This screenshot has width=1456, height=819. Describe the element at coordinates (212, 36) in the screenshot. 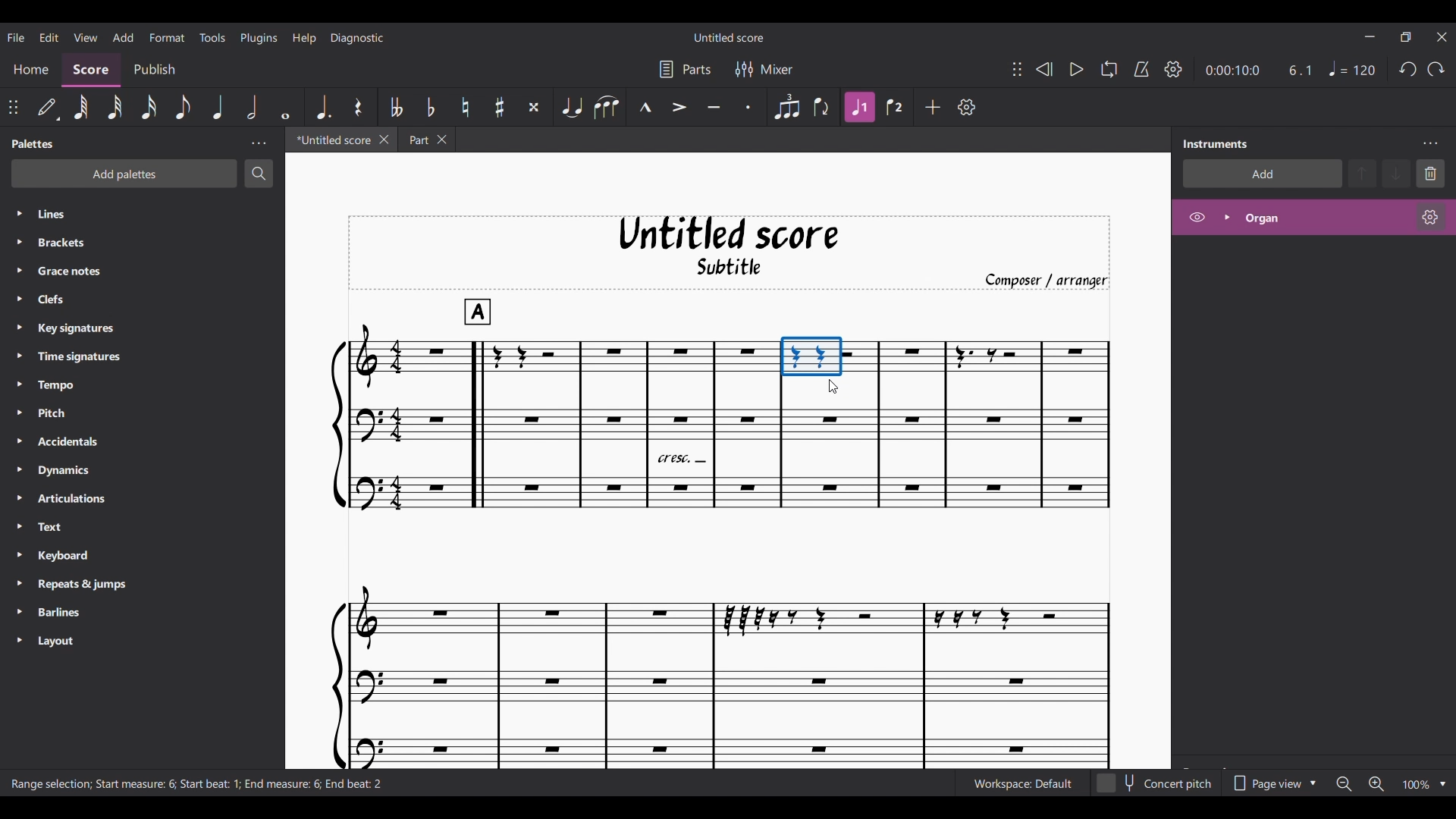

I see `Tools menu` at that location.